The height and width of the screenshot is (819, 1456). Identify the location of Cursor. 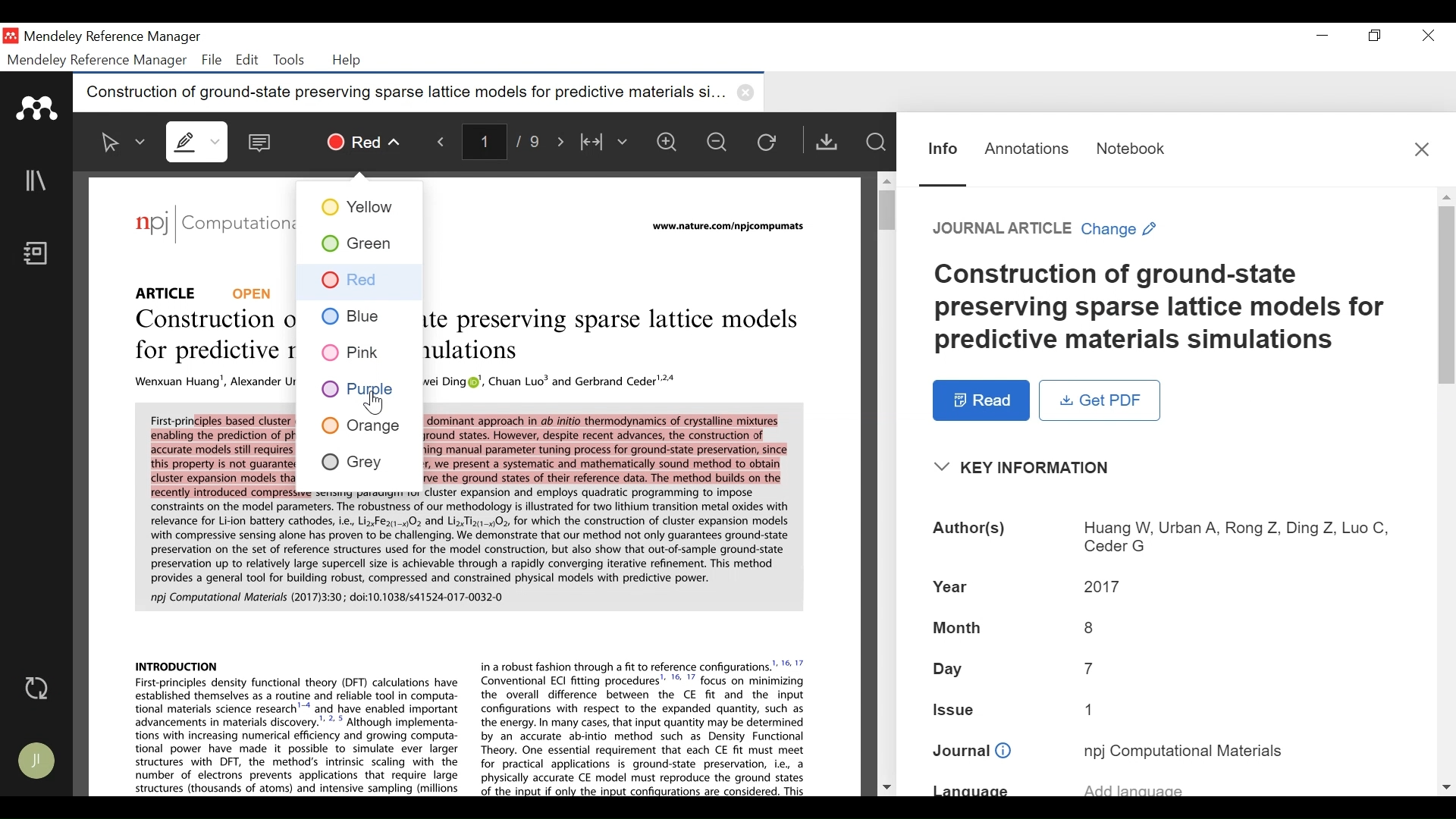
(376, 403).